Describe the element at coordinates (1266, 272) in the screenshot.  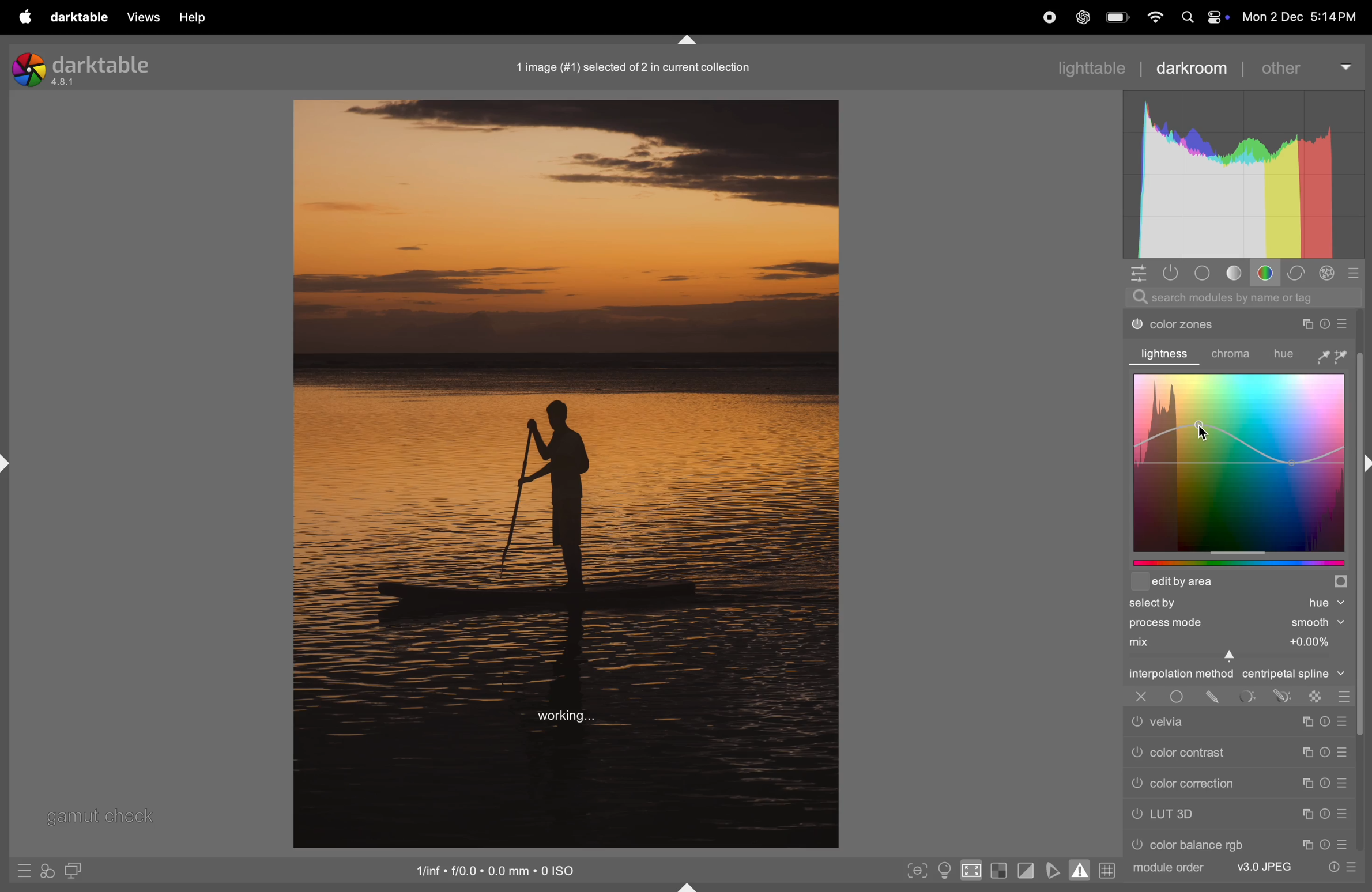
I see `` at that location.